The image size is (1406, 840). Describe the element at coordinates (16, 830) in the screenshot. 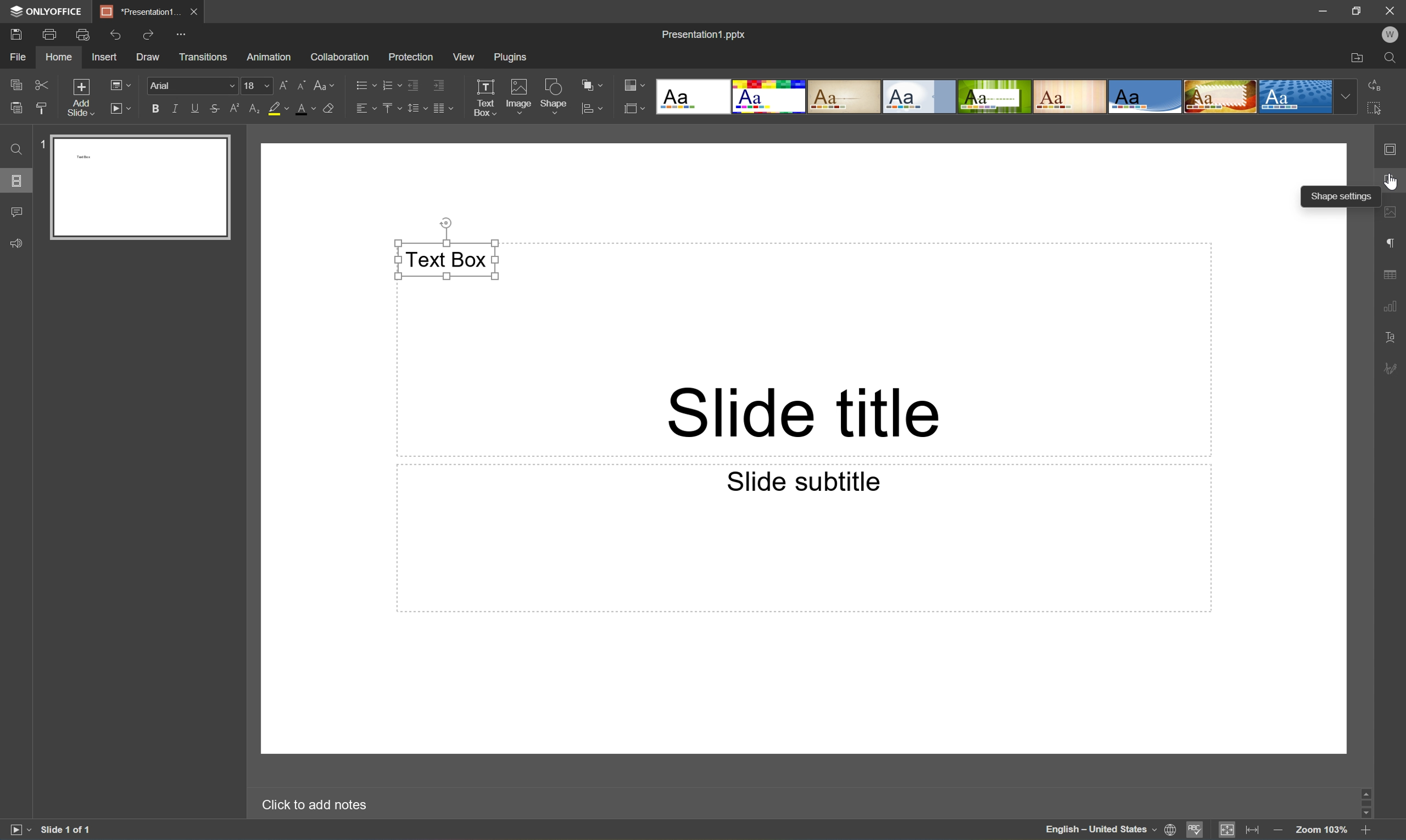

I see `Start slideshow` at that location.